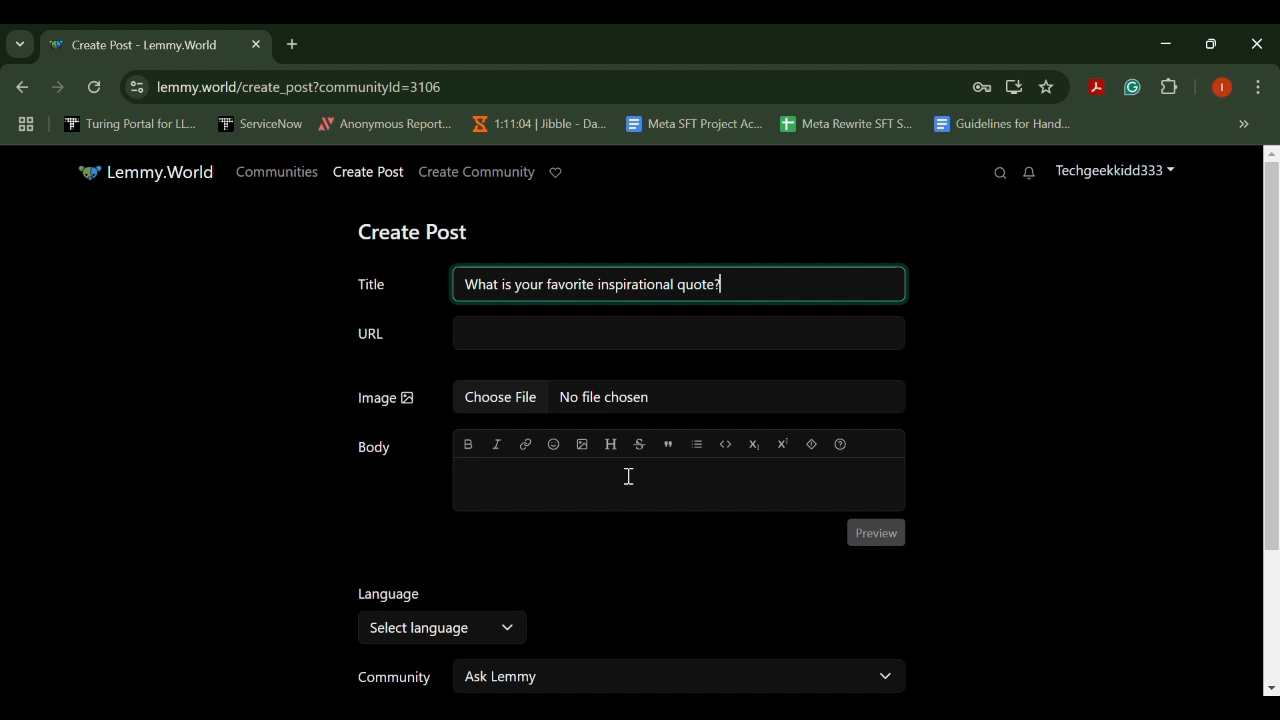 Image resolution: width=1280 pixels, height=720 pixels. I want to click on Language, so click(386, 593).